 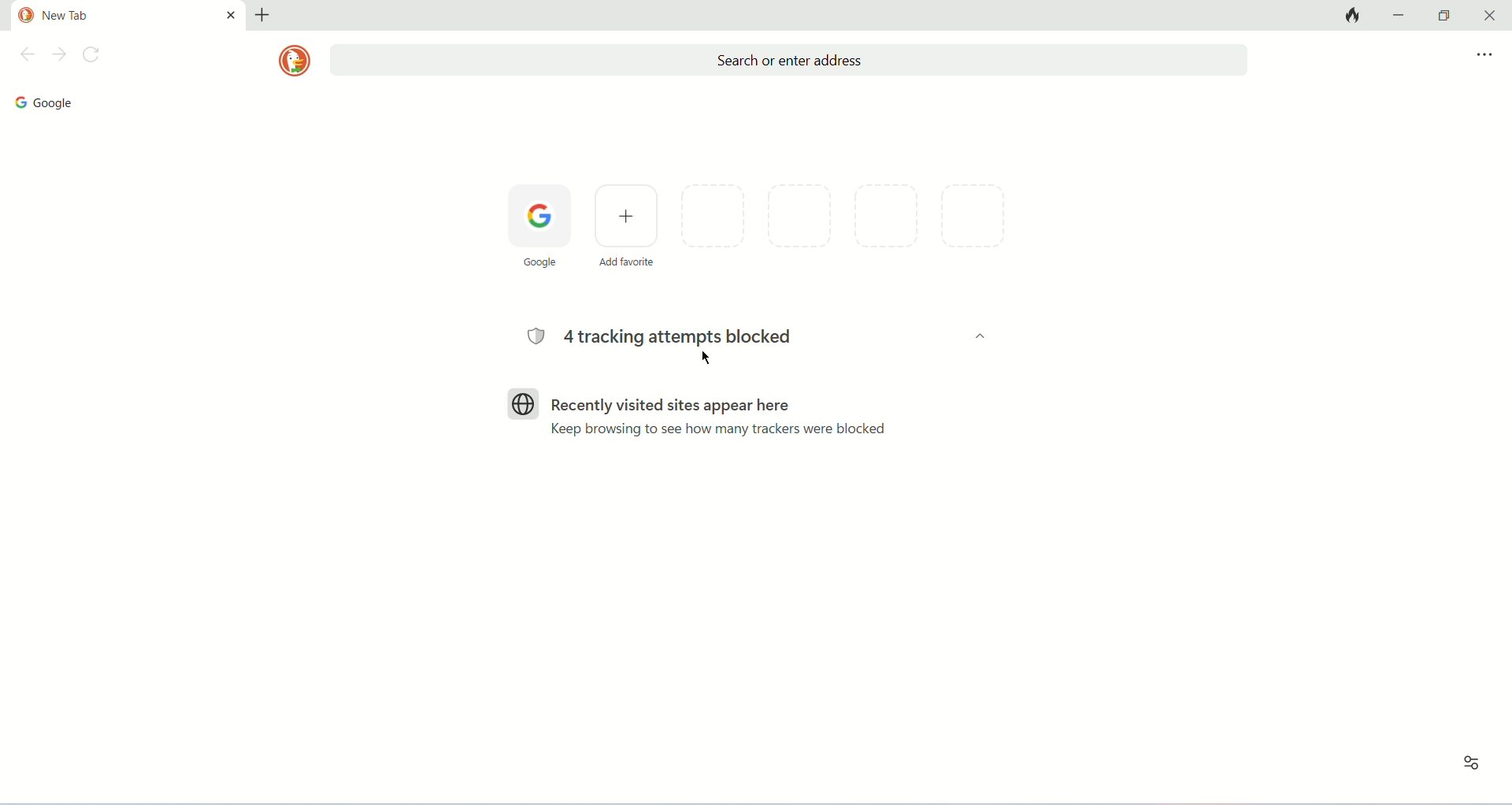 What do you see at coordinates (59, 56) in the screenshot?
I see `go forward` at bounding box center [59, 56].